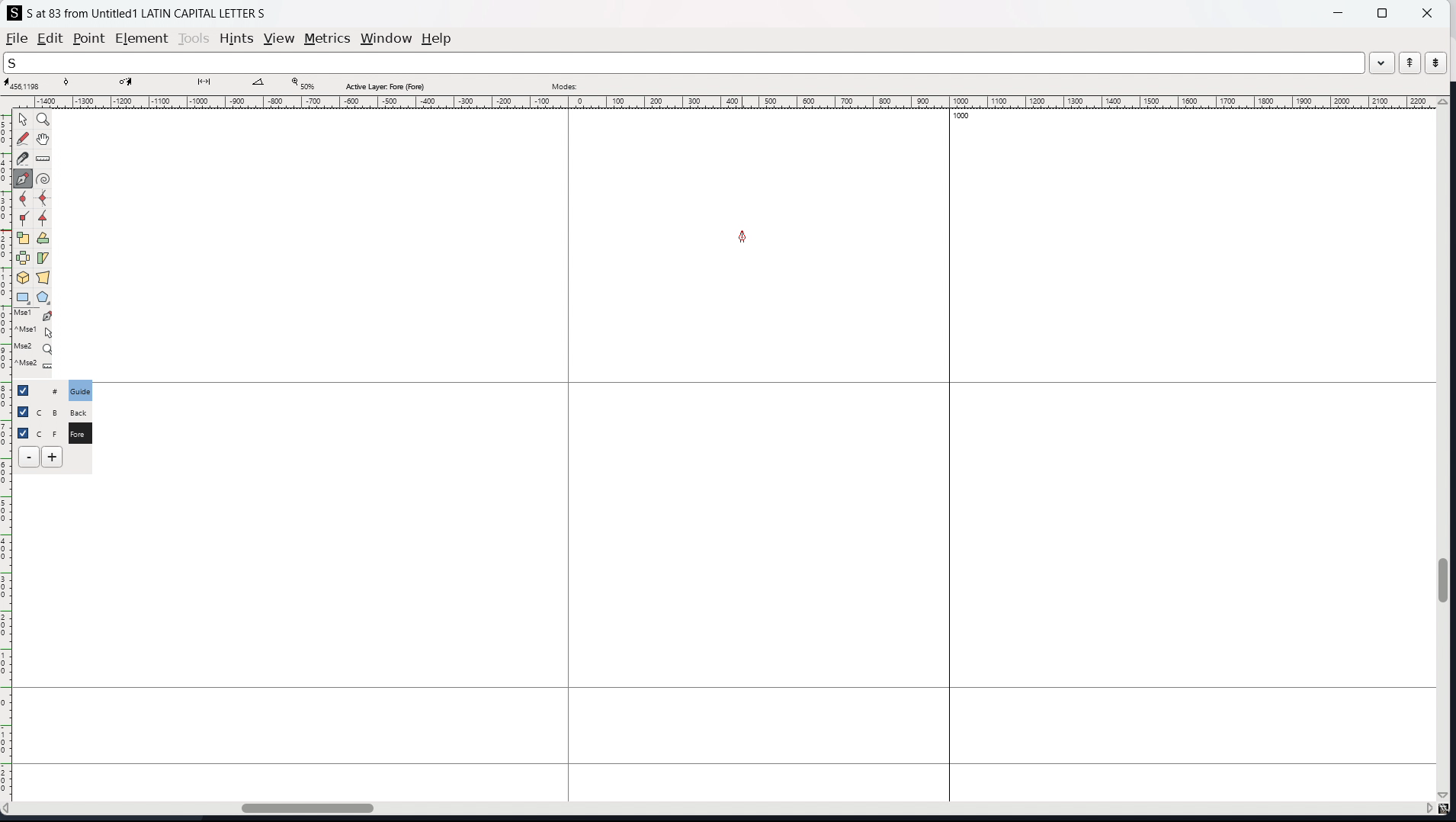 The image size is (1456, 822). What do you see at coordinates (386, 39) in the screenshot?
I see `window` at bounding box center [386, 39].